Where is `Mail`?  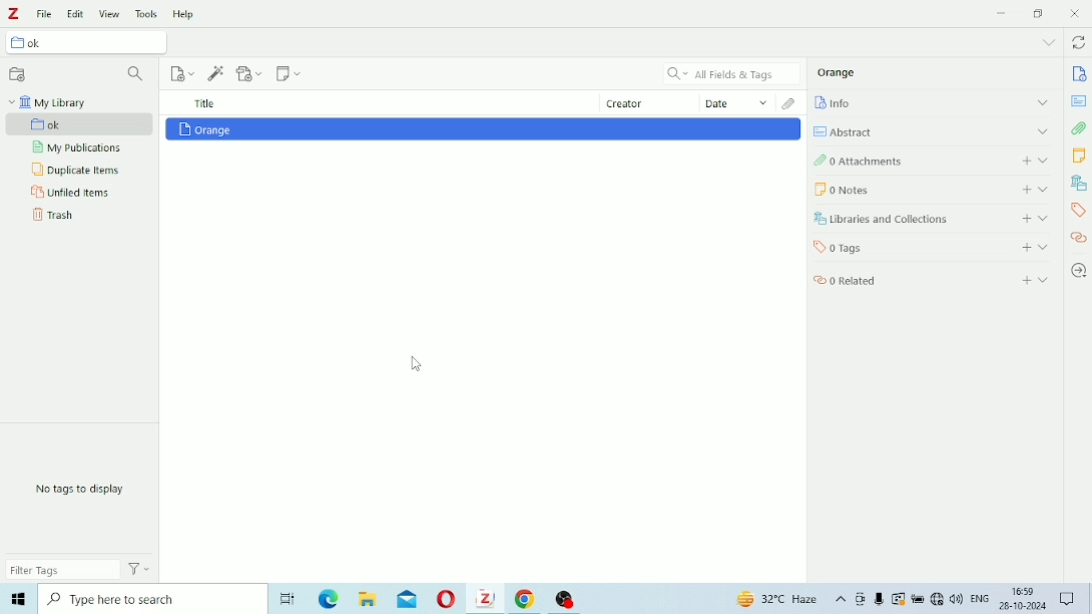
Mail is located at coordinates (407, 599).